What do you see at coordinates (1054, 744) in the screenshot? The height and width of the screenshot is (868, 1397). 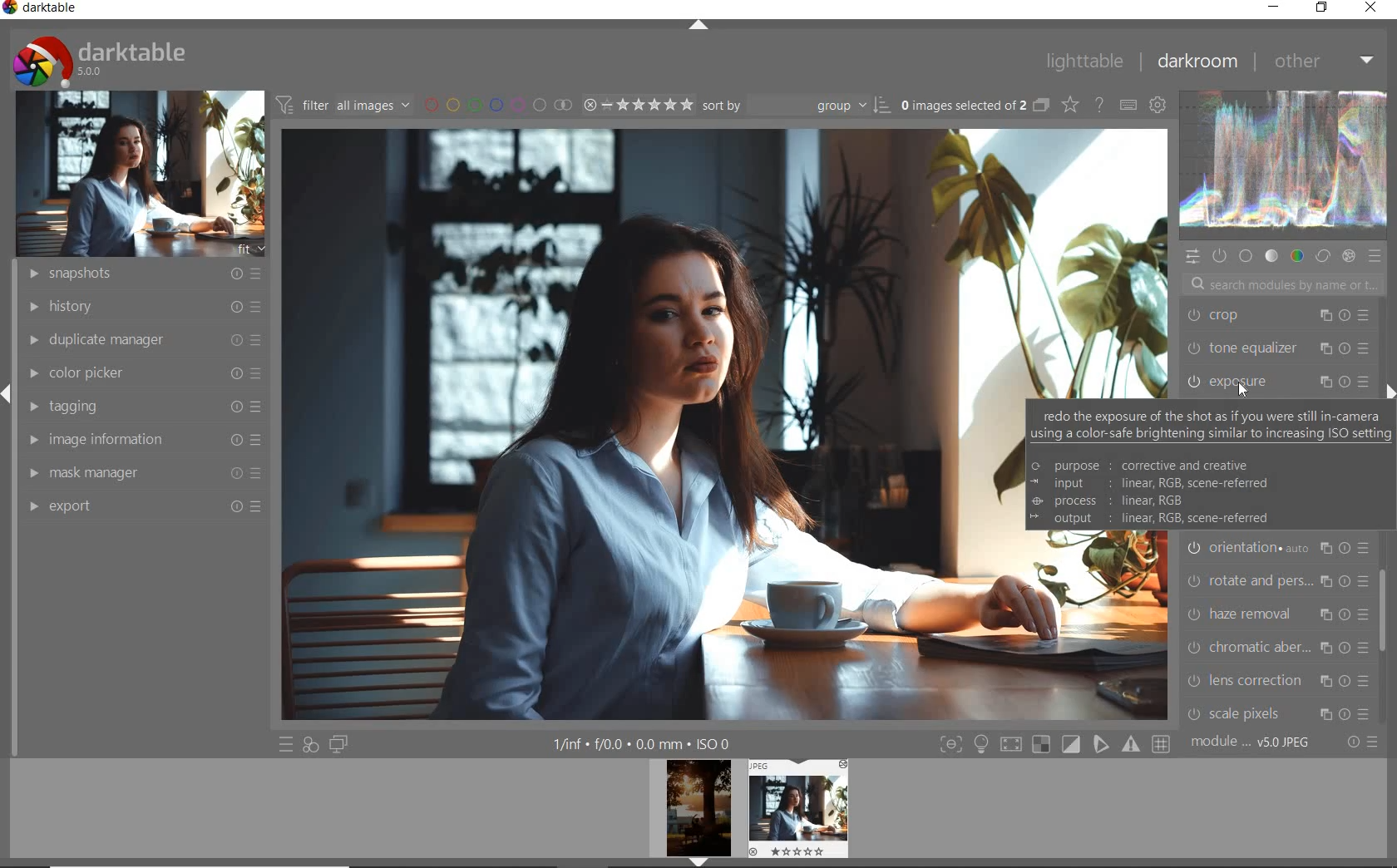 I see `TOGGLE MODE` at bounding box center [1054, 744].